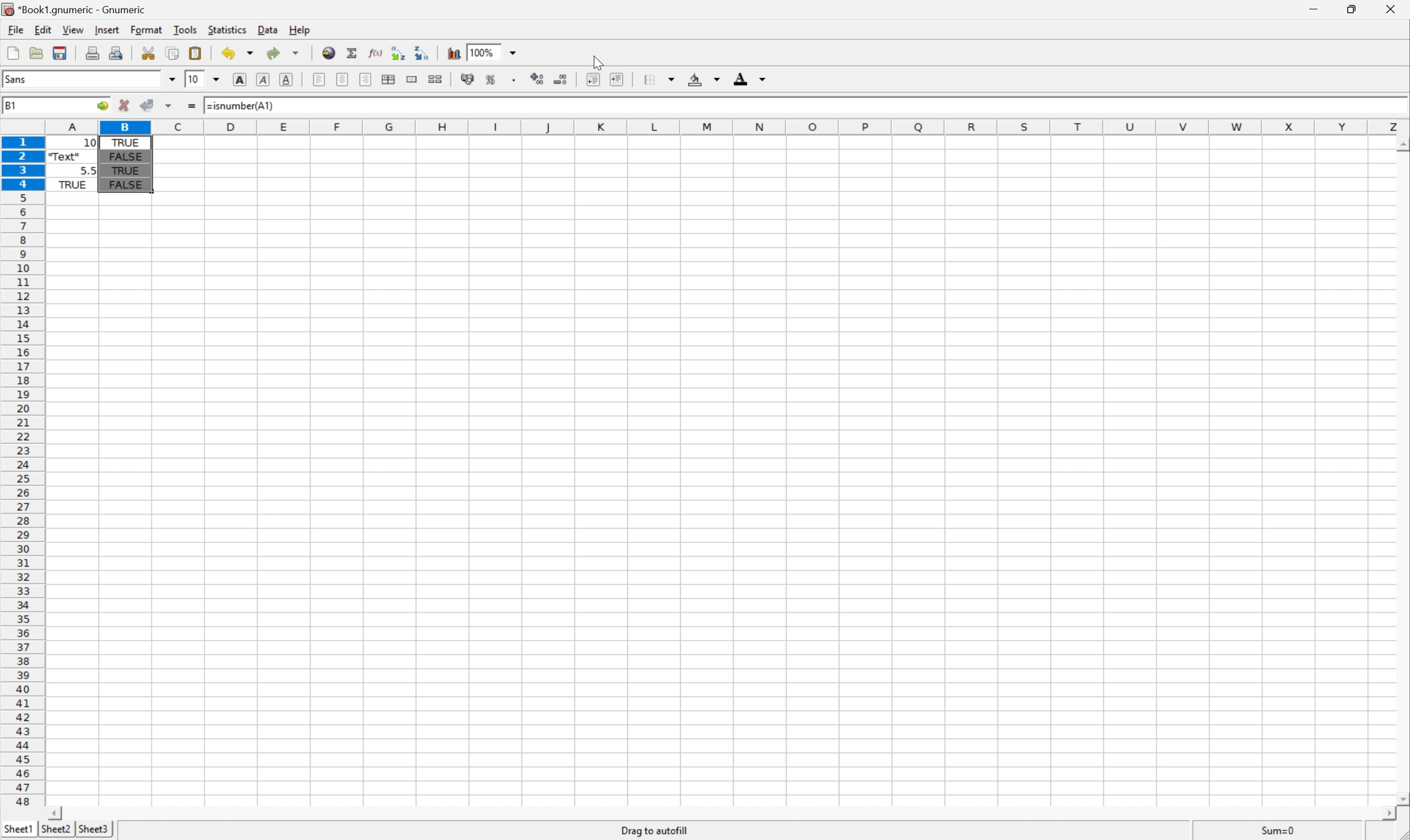 The height and width of the screenshot is (840, 1410). I want to click on Background, so click(703, 78).